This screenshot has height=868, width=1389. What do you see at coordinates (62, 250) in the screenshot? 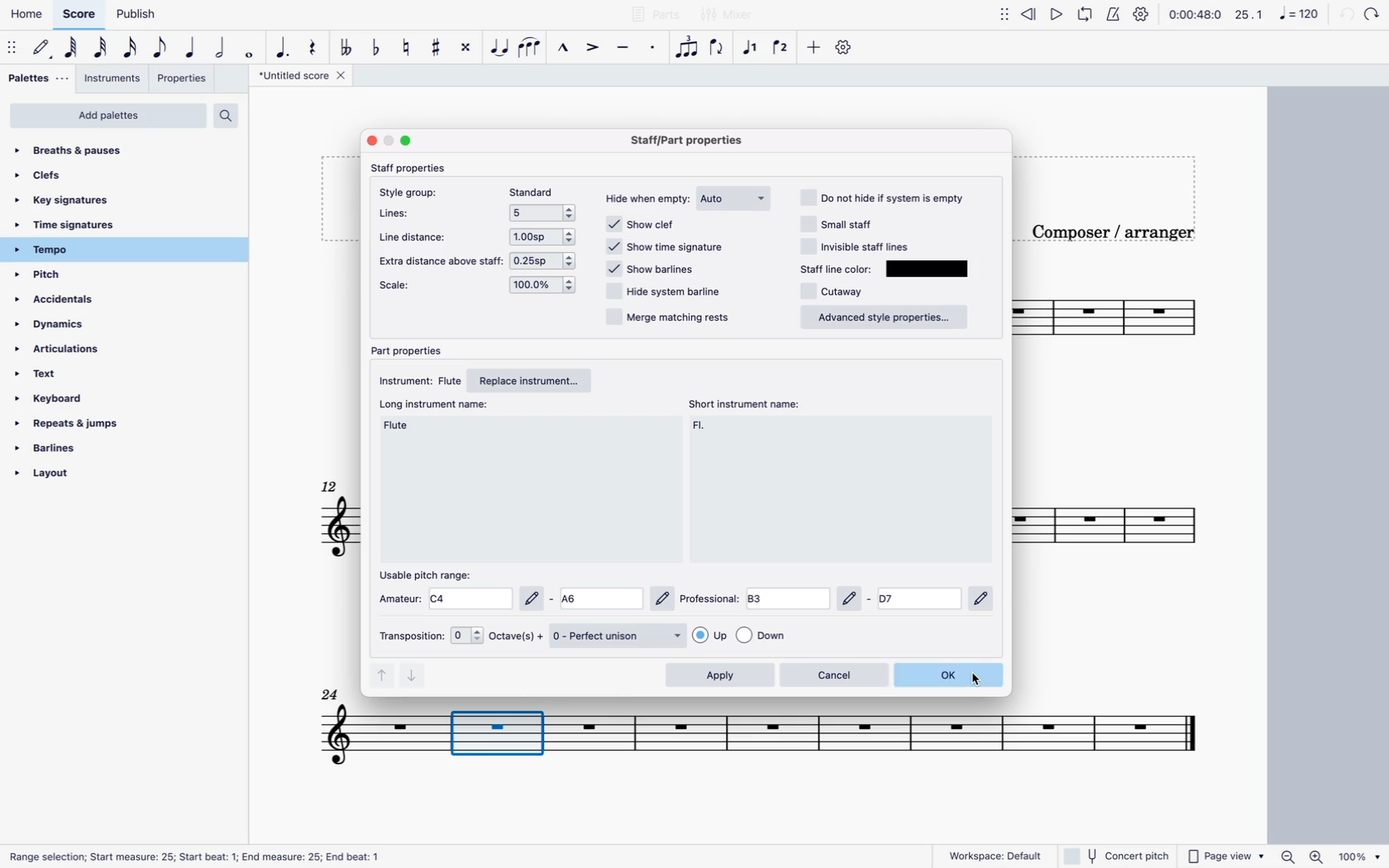
I see `tempo` at bounding box center [62, 250].